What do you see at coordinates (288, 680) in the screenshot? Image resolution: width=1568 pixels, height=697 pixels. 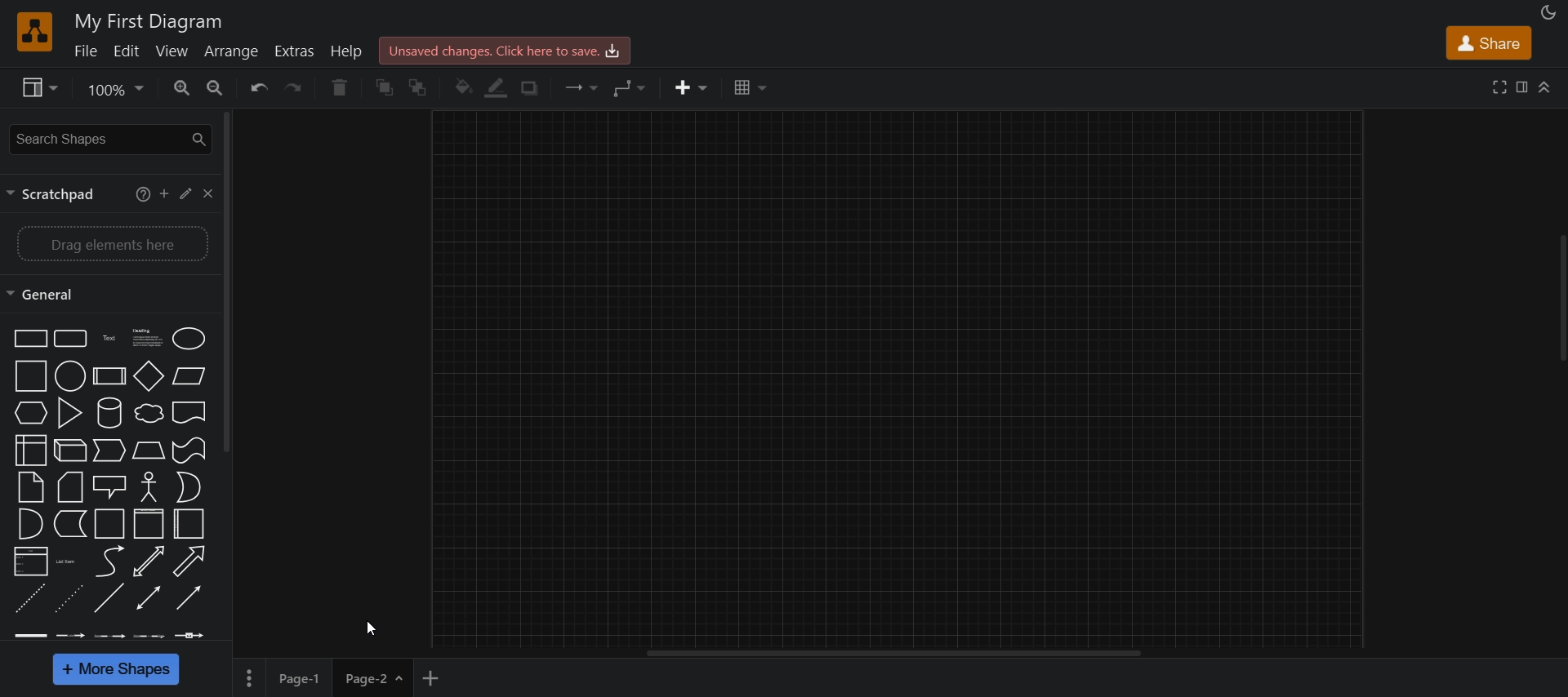 I see `page 1` at bounding box center [288, 680].